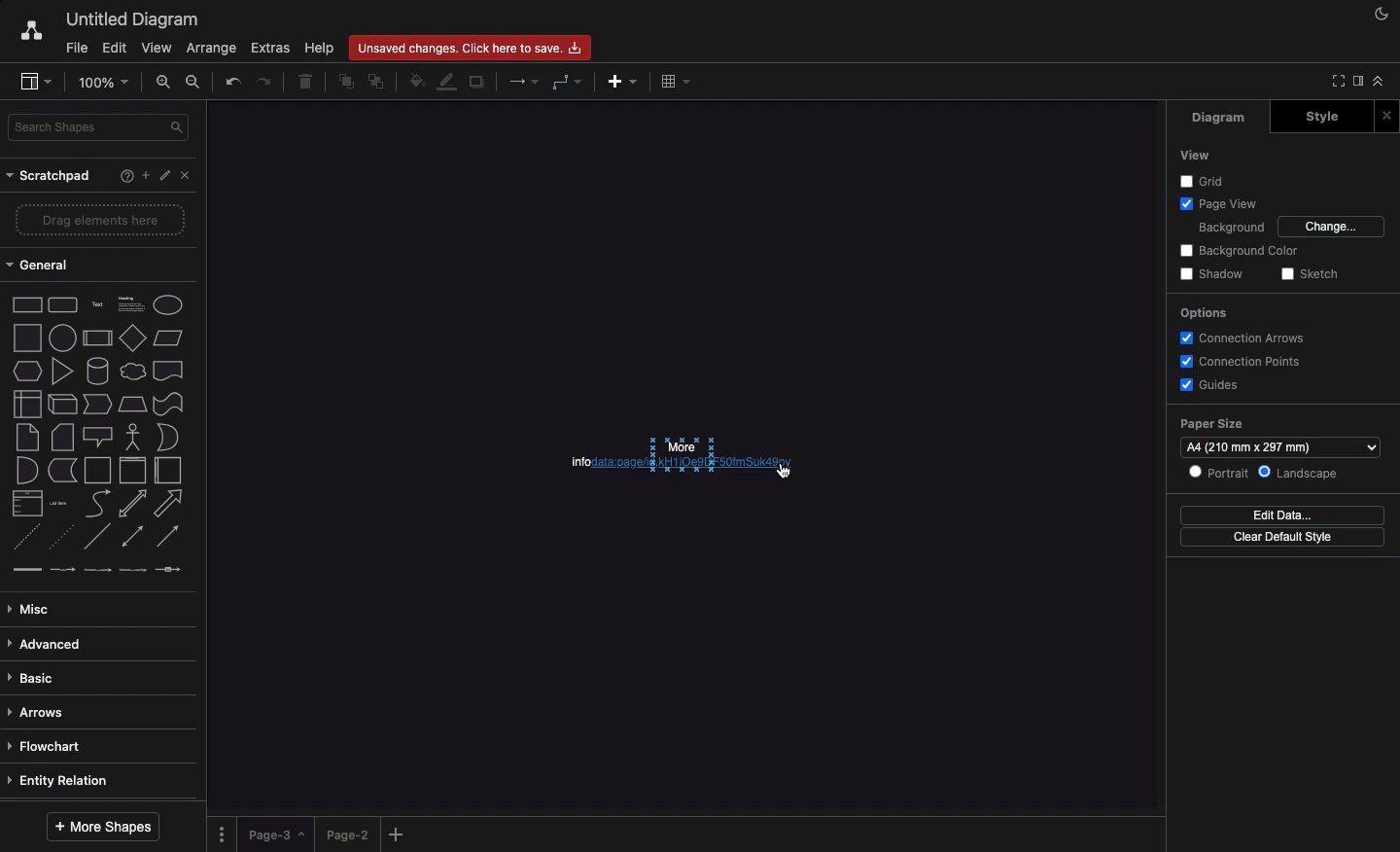 This screenshot has height=852, width=1400. What do you see at coordinates (131, 504) in the screenshot?
I see `bidirectional arrow` at bounding box center [131, 504].